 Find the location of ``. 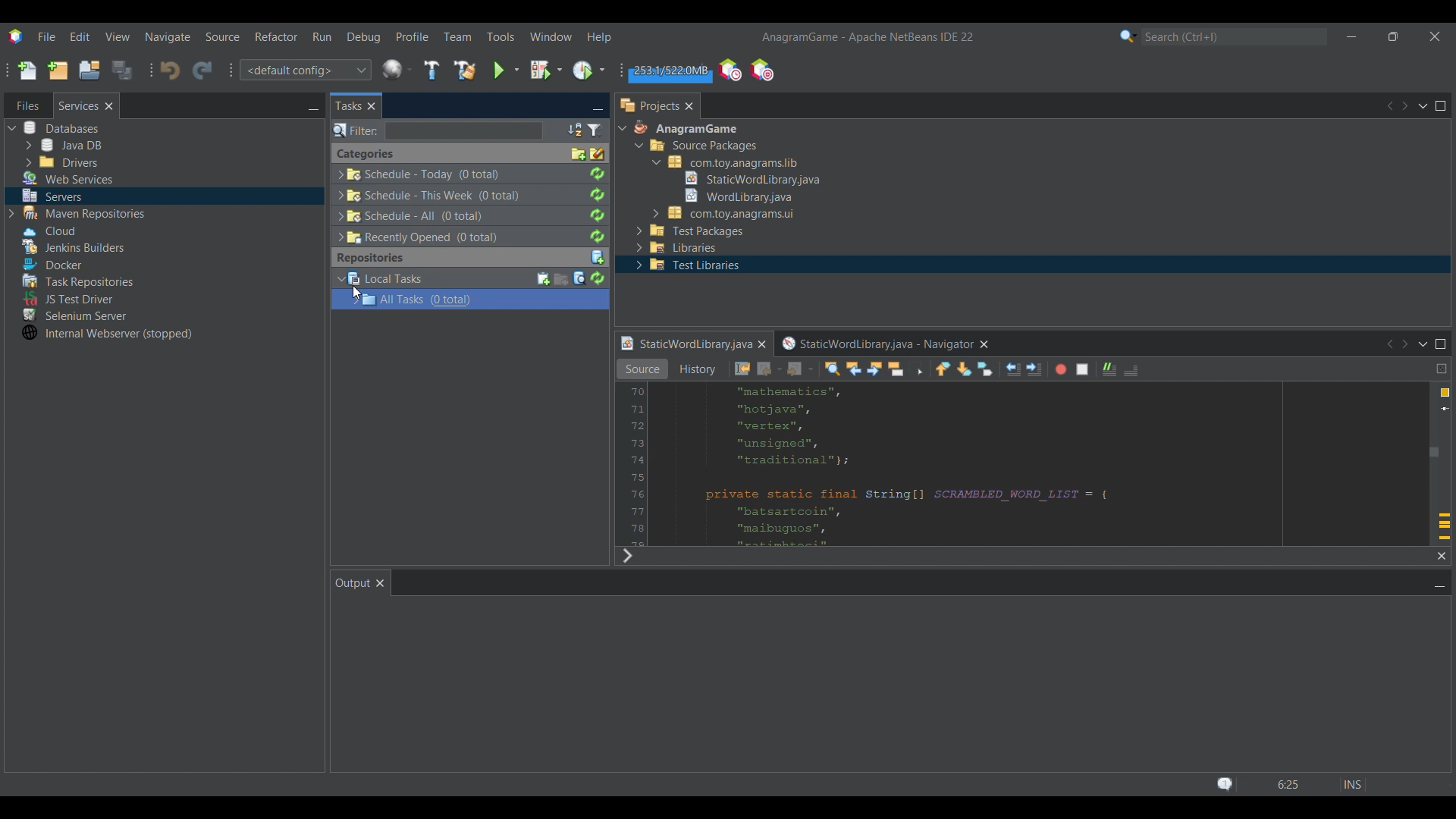

 is located at coordinates (720, 212).